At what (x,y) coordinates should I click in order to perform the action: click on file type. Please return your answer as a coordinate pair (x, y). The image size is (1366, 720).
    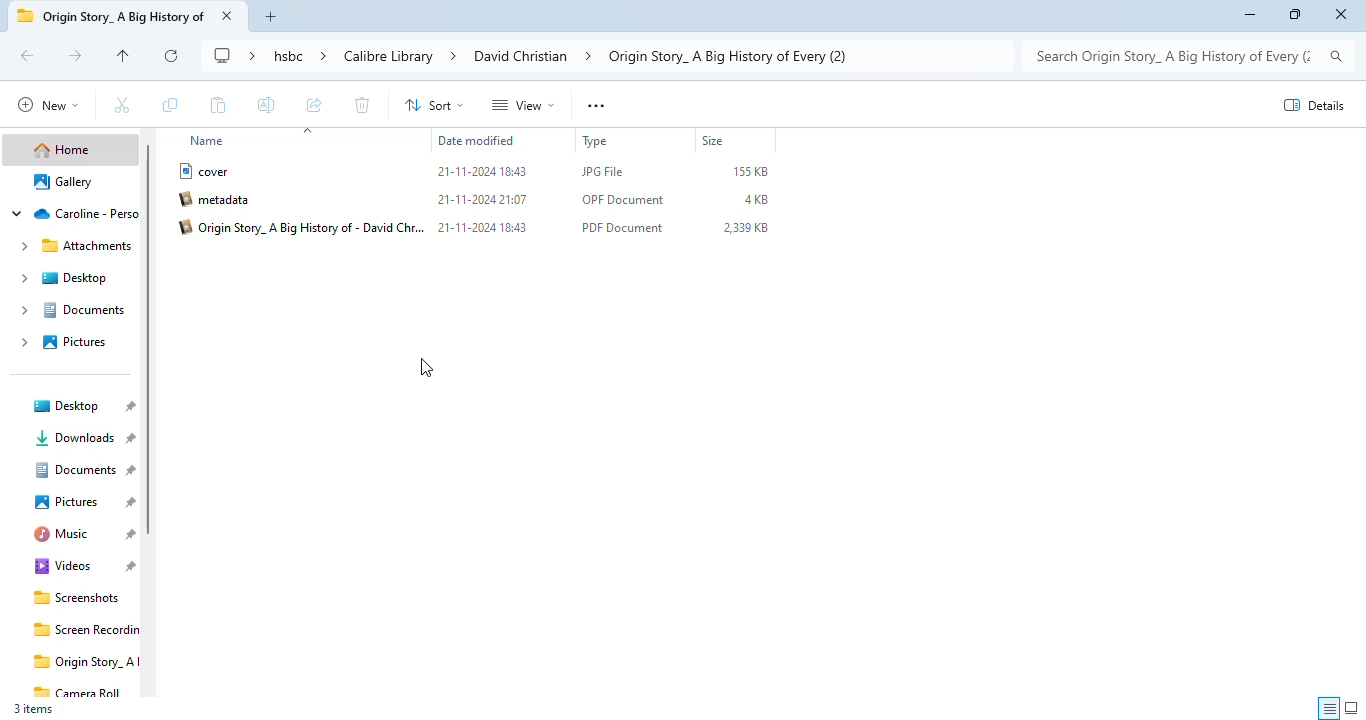
    Looking at the image, I should click on (609, 172).